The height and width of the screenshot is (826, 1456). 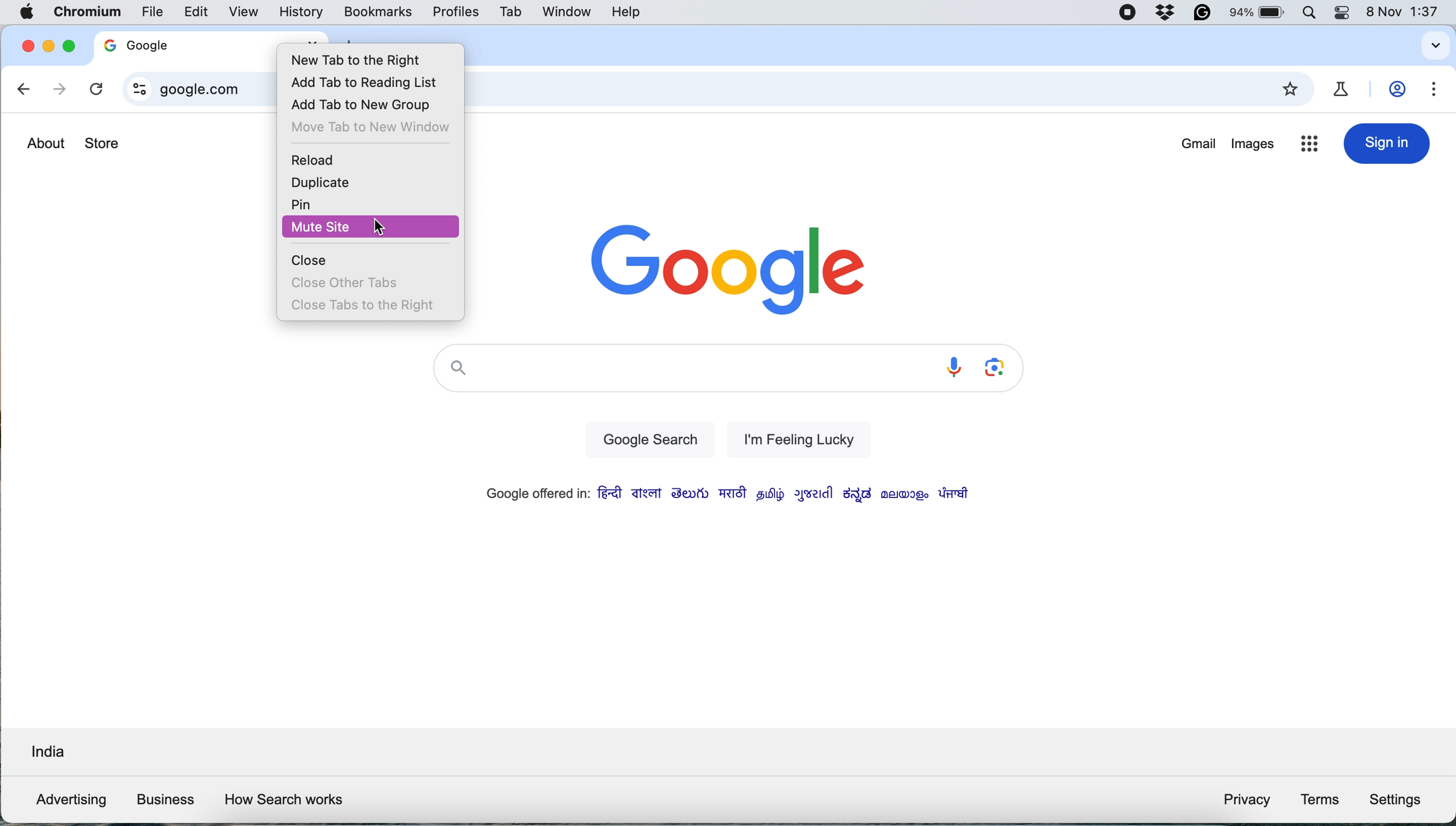 I want to click on i'm feeling lucky, so click(x=793, y=439).